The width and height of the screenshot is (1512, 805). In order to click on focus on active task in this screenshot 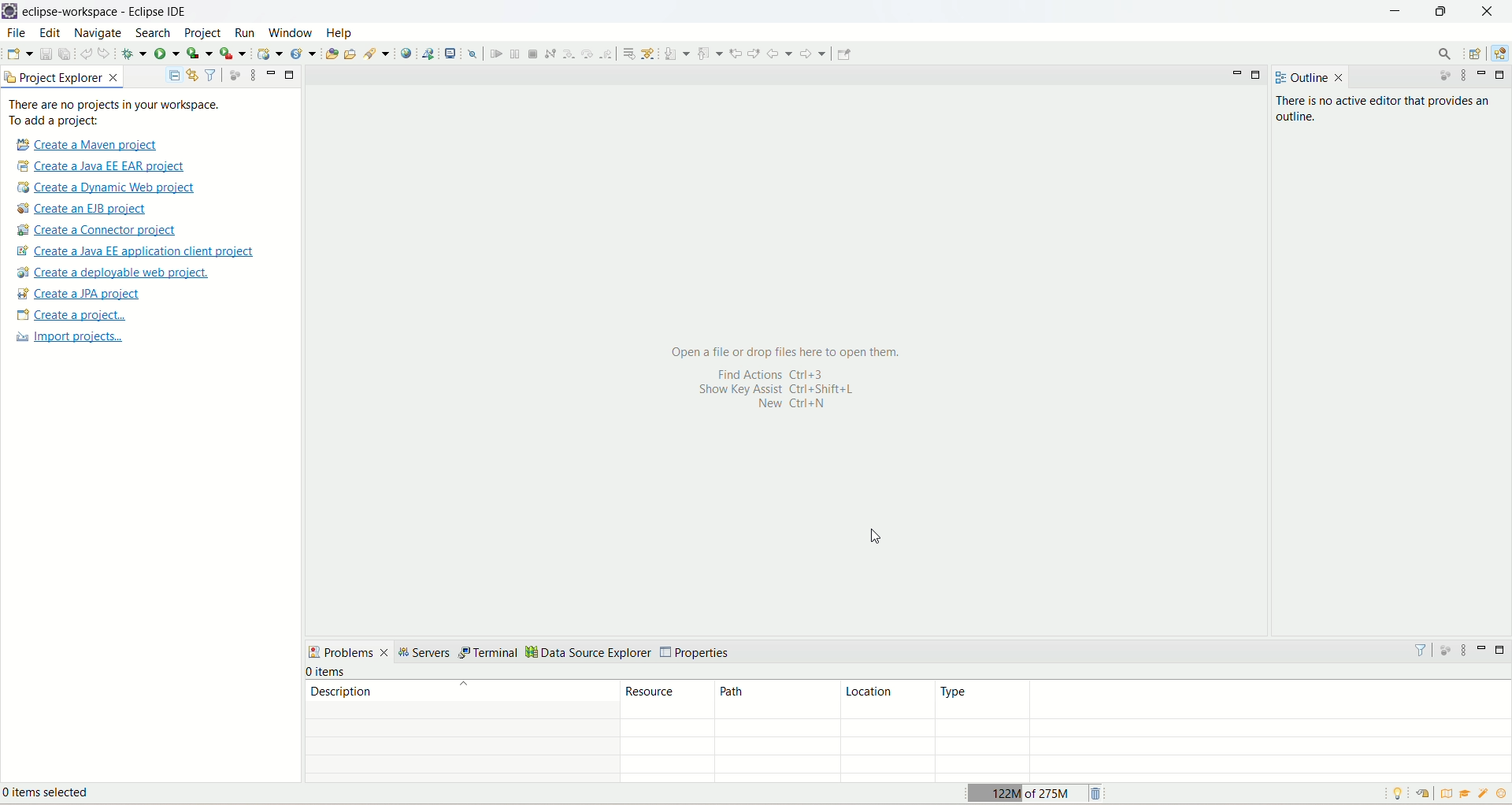, I will do `click(1443, 648)`.